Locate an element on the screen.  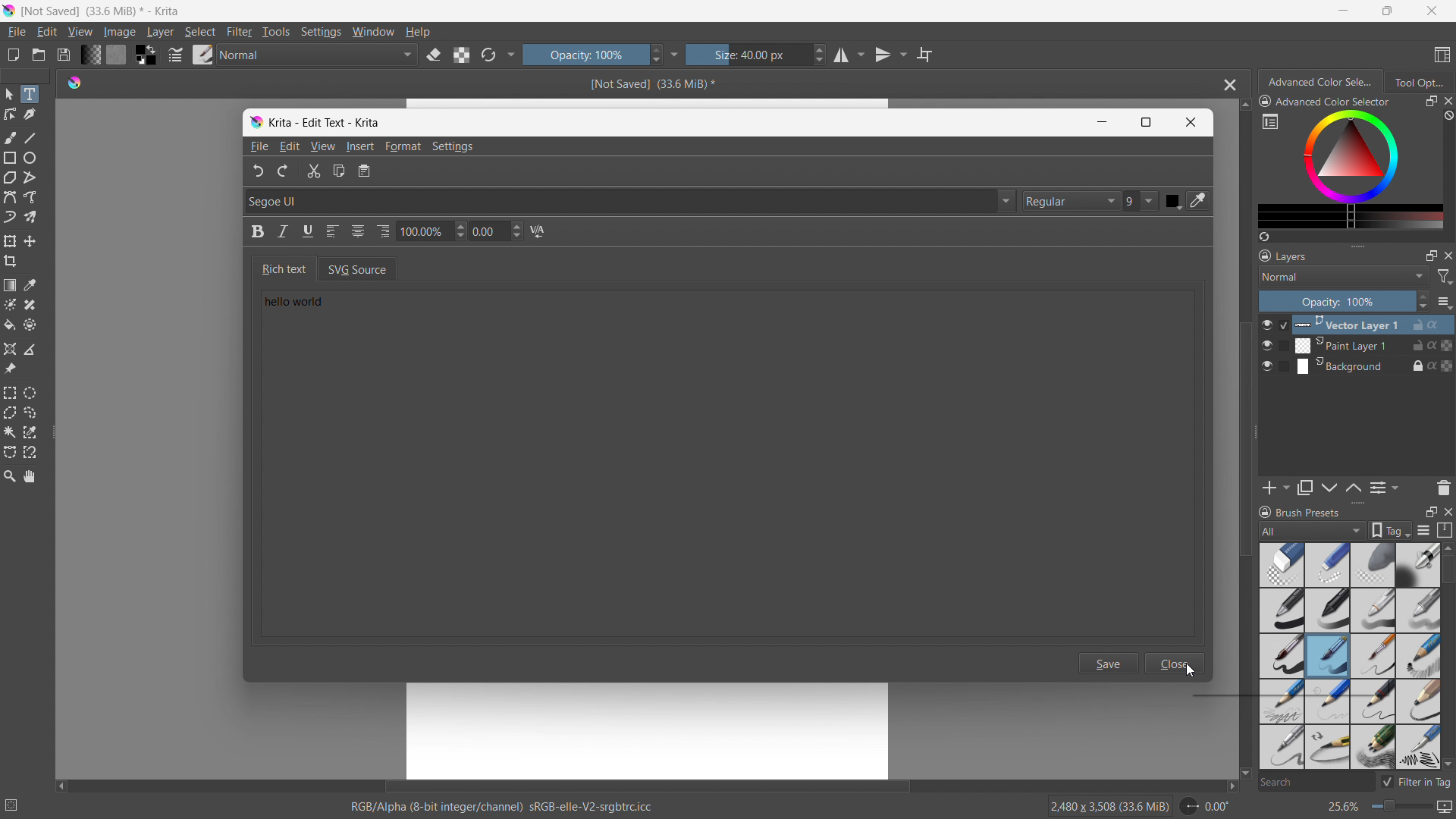
select is located at coordinates (199, 32).